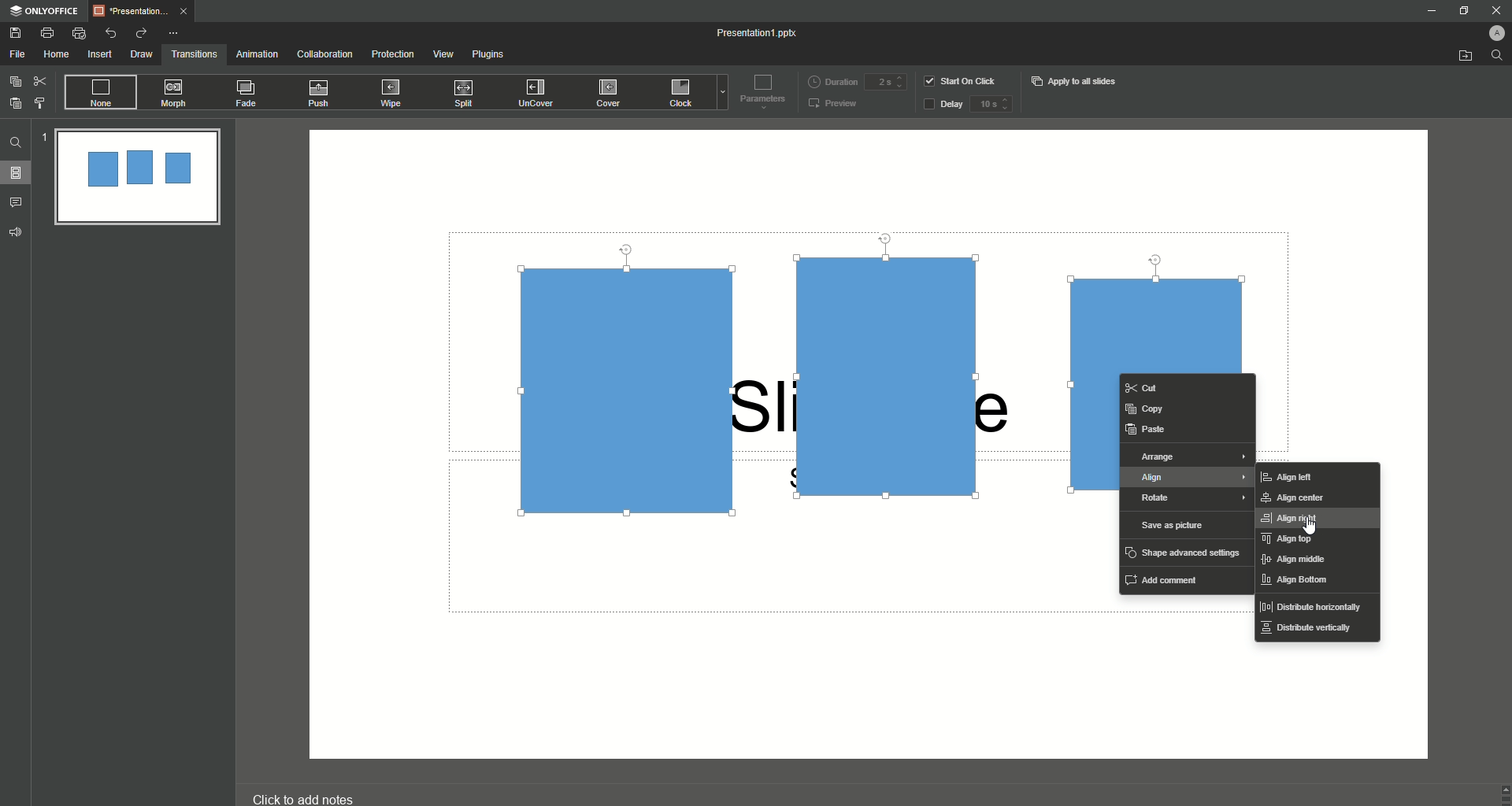 This screenshot has height=806, width=1512. What do you see at coordinates (176, 93) in the screenshot?
I see `Morph` at bounding box center [176, 93].